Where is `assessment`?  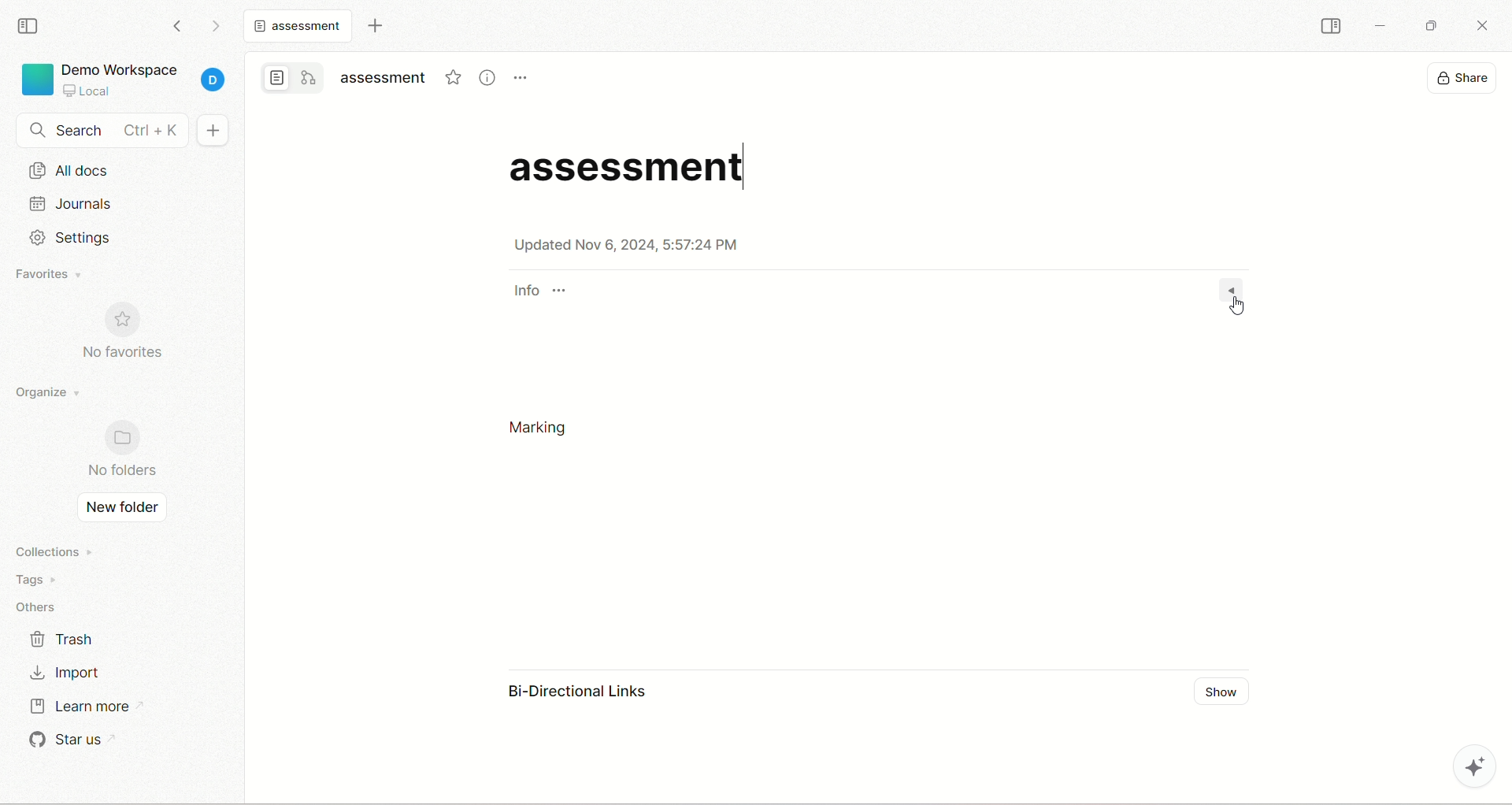 assessment is located at coordinates (385, 78).